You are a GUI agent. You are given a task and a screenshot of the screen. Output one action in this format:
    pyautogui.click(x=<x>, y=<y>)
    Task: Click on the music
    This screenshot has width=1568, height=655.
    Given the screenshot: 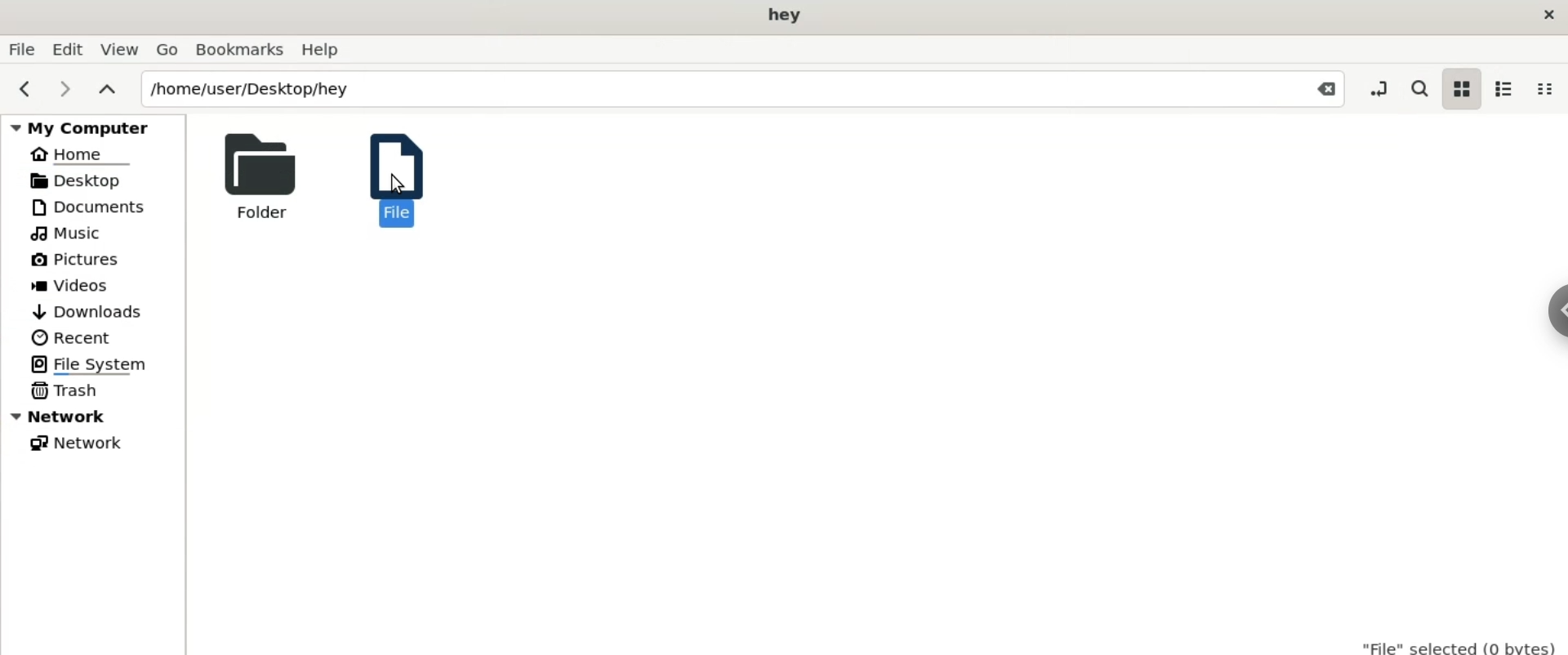 What is the action you would take?
    pyautogui.click(x=69, y=233)
    